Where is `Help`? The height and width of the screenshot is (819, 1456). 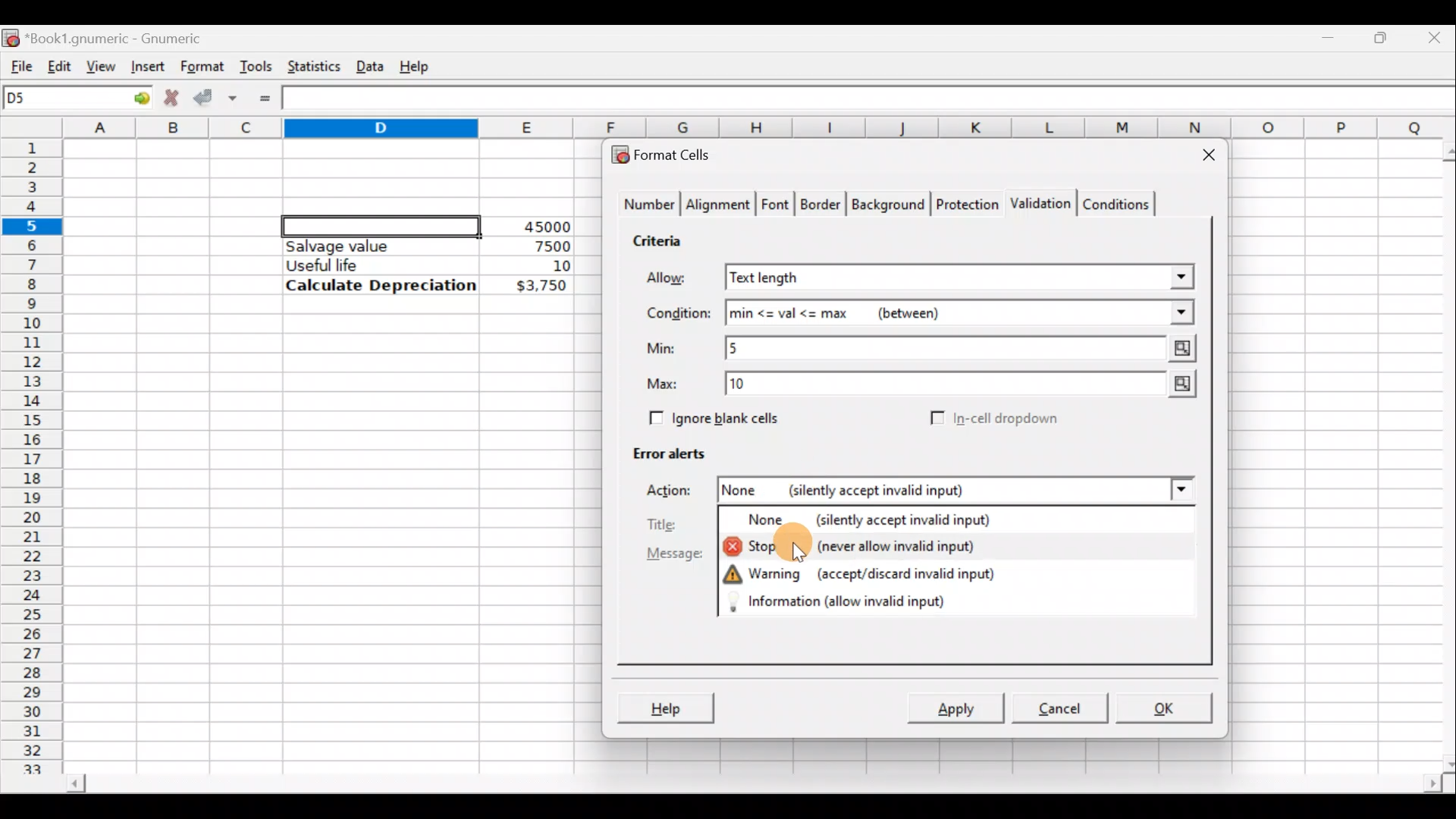
Help is located at coordinates (665, 710).